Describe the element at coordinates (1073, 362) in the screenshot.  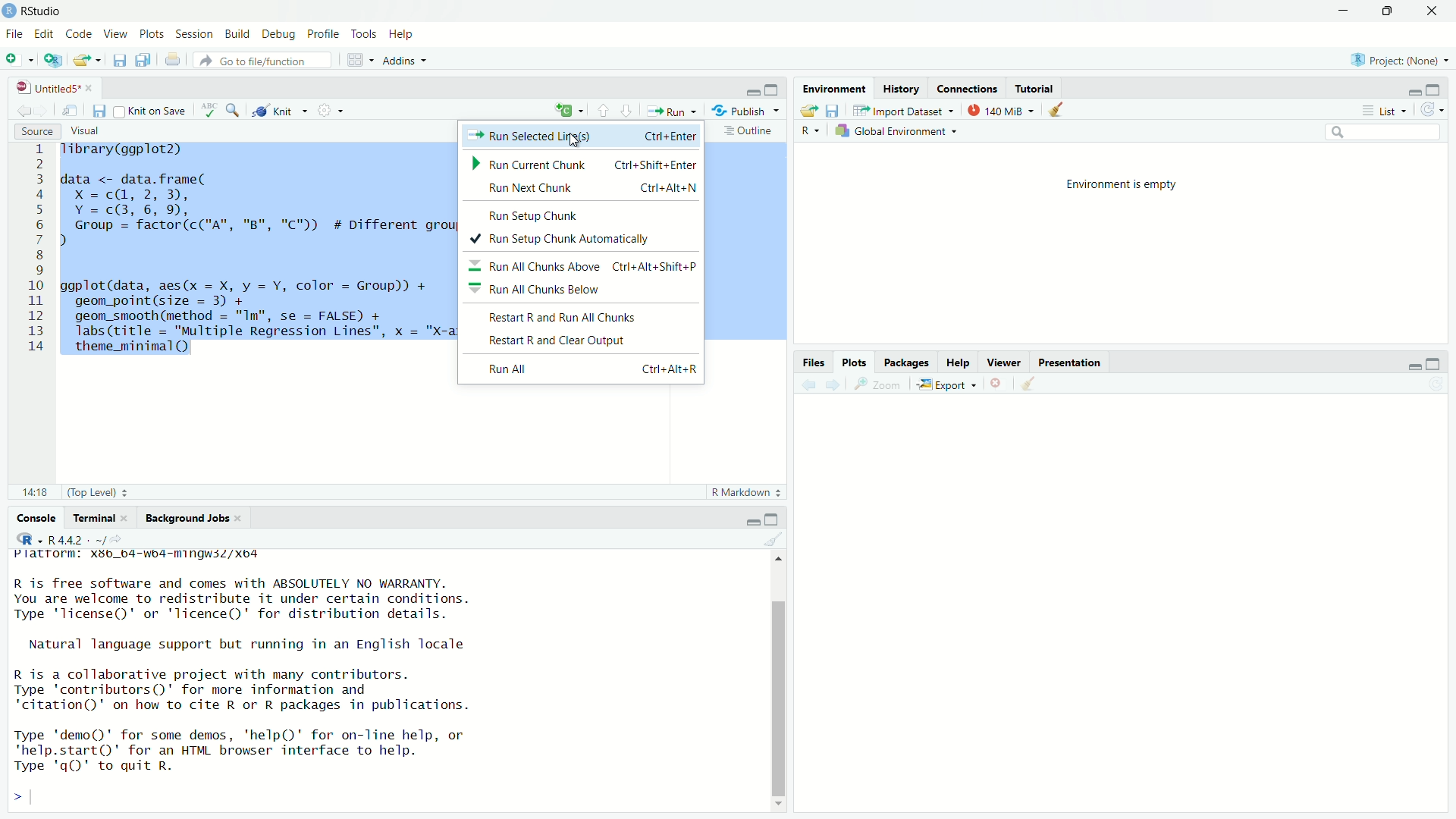
I see `Presentation` at that location.